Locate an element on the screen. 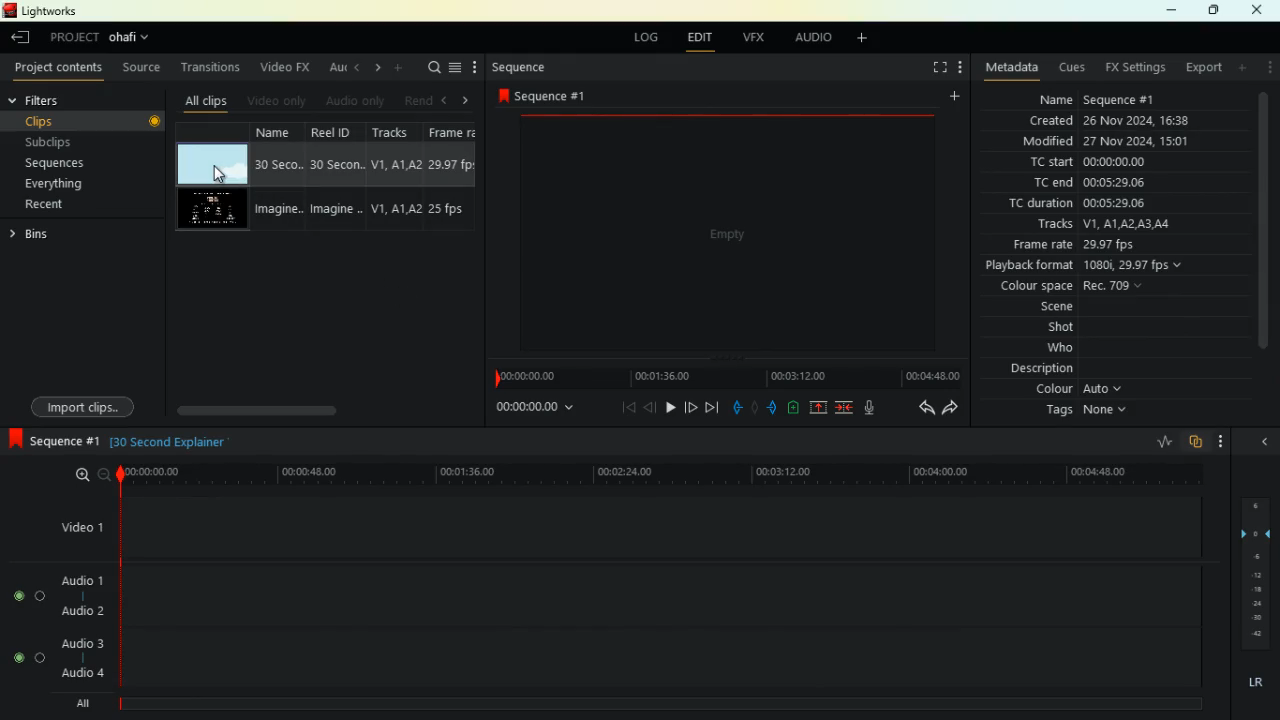 The width and height of the screenshot is (1280, 720). project is located at coordinates (106, 37).